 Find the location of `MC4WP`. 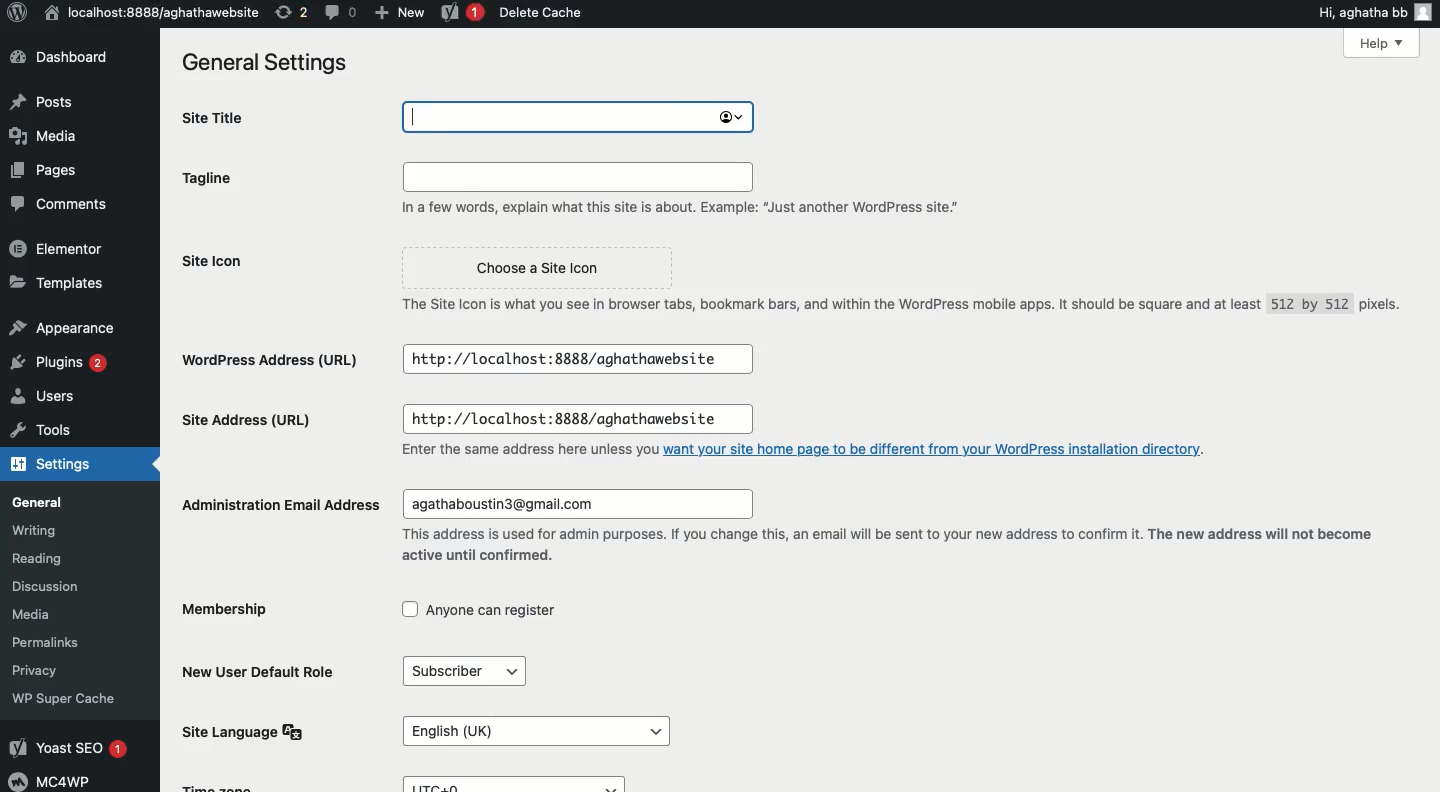

MC4WP is located at coordinates (53, 781).